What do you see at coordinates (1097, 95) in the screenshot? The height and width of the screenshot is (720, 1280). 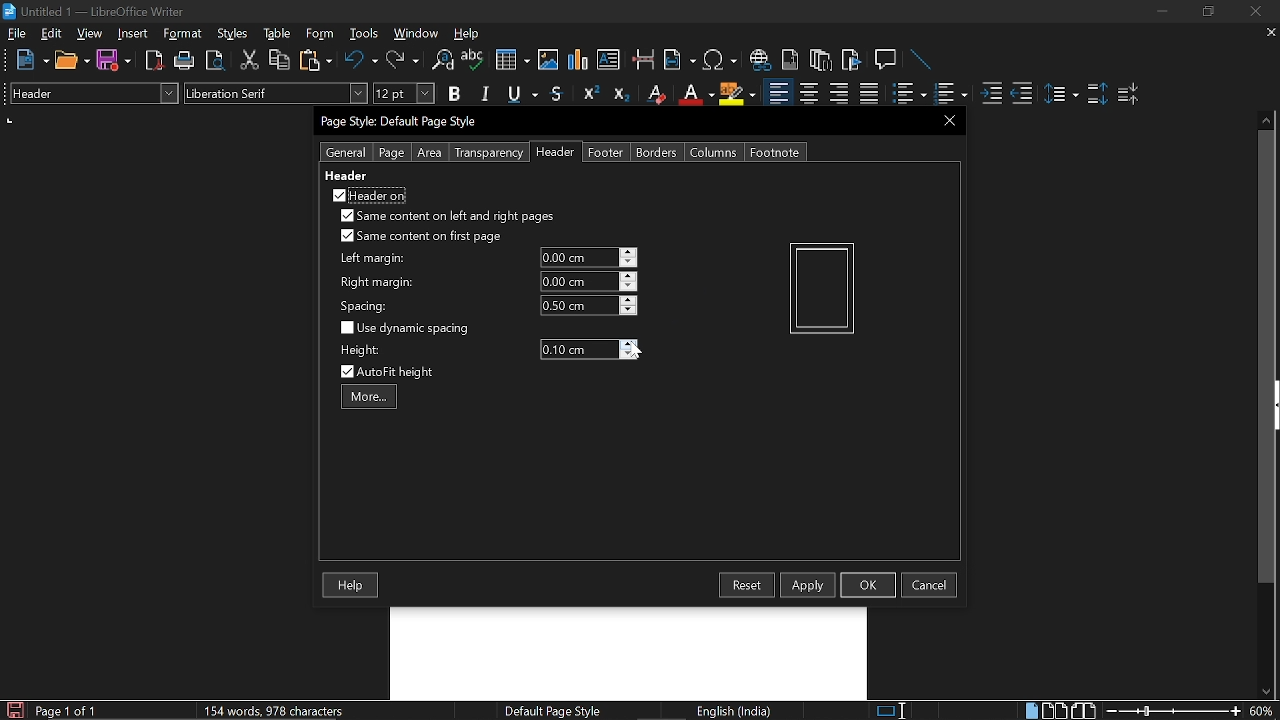 I see `Increase paragraph spacing` at bounding box center [1097, 95].